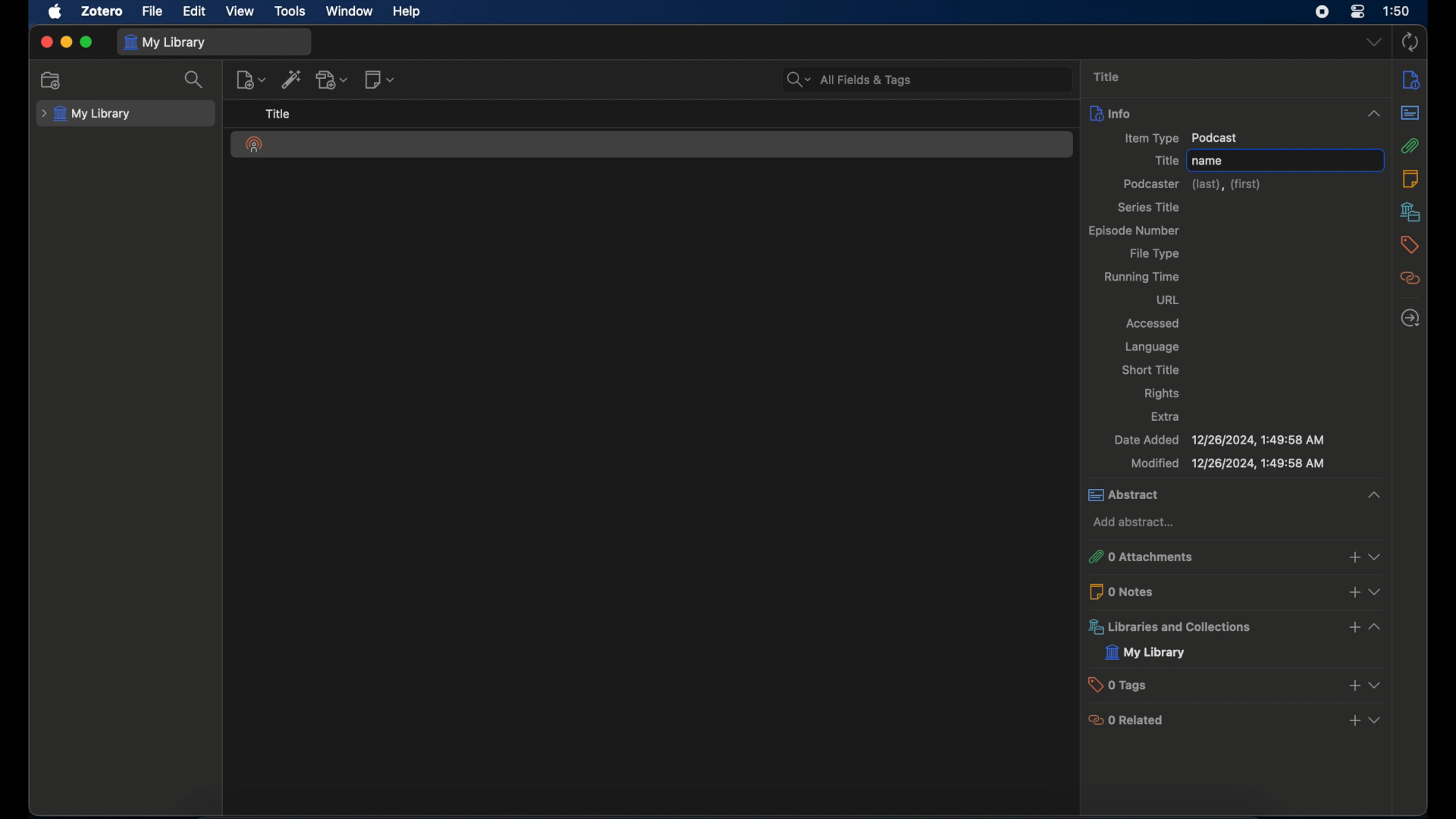 This screenshot has height=819, width=1456. What do you see at coordinates (1321, 12) in the screenshot?
I see `screen recorder` at bounding box center [1321, 12].